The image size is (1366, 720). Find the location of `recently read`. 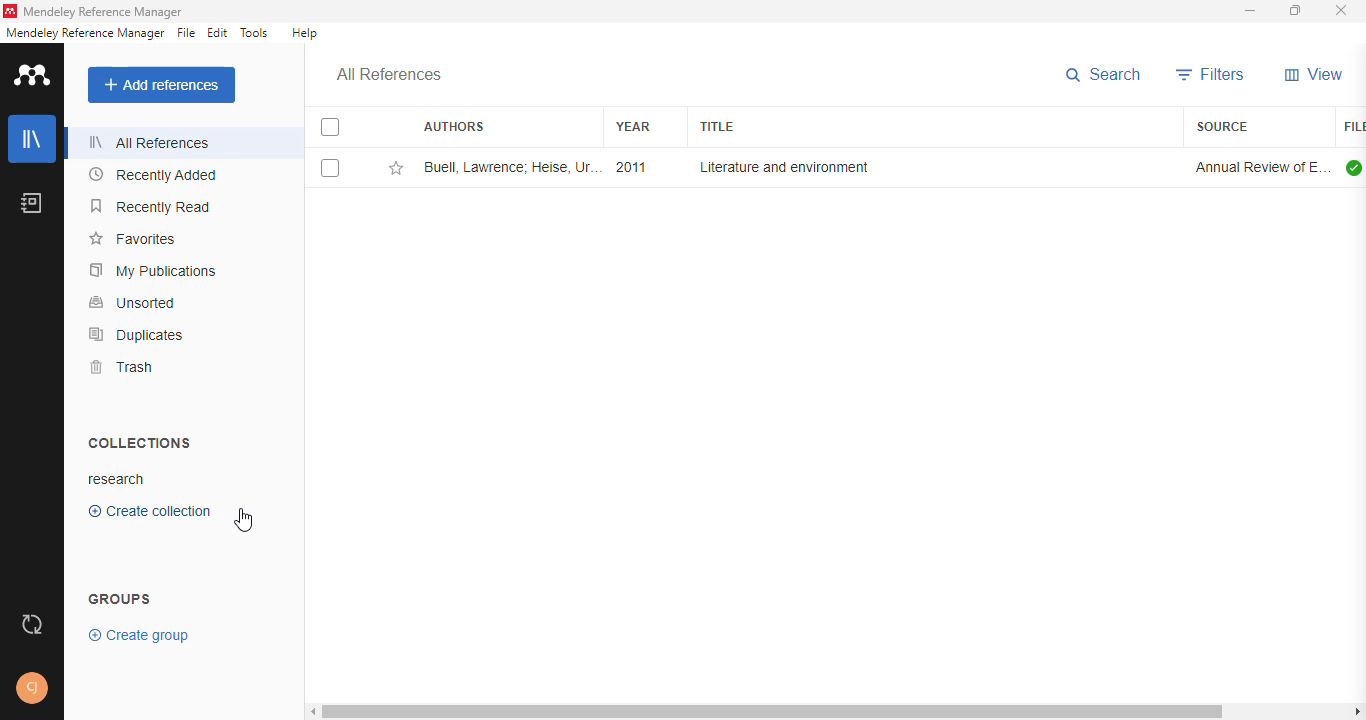

recently read is located at coordinates (150, 206).